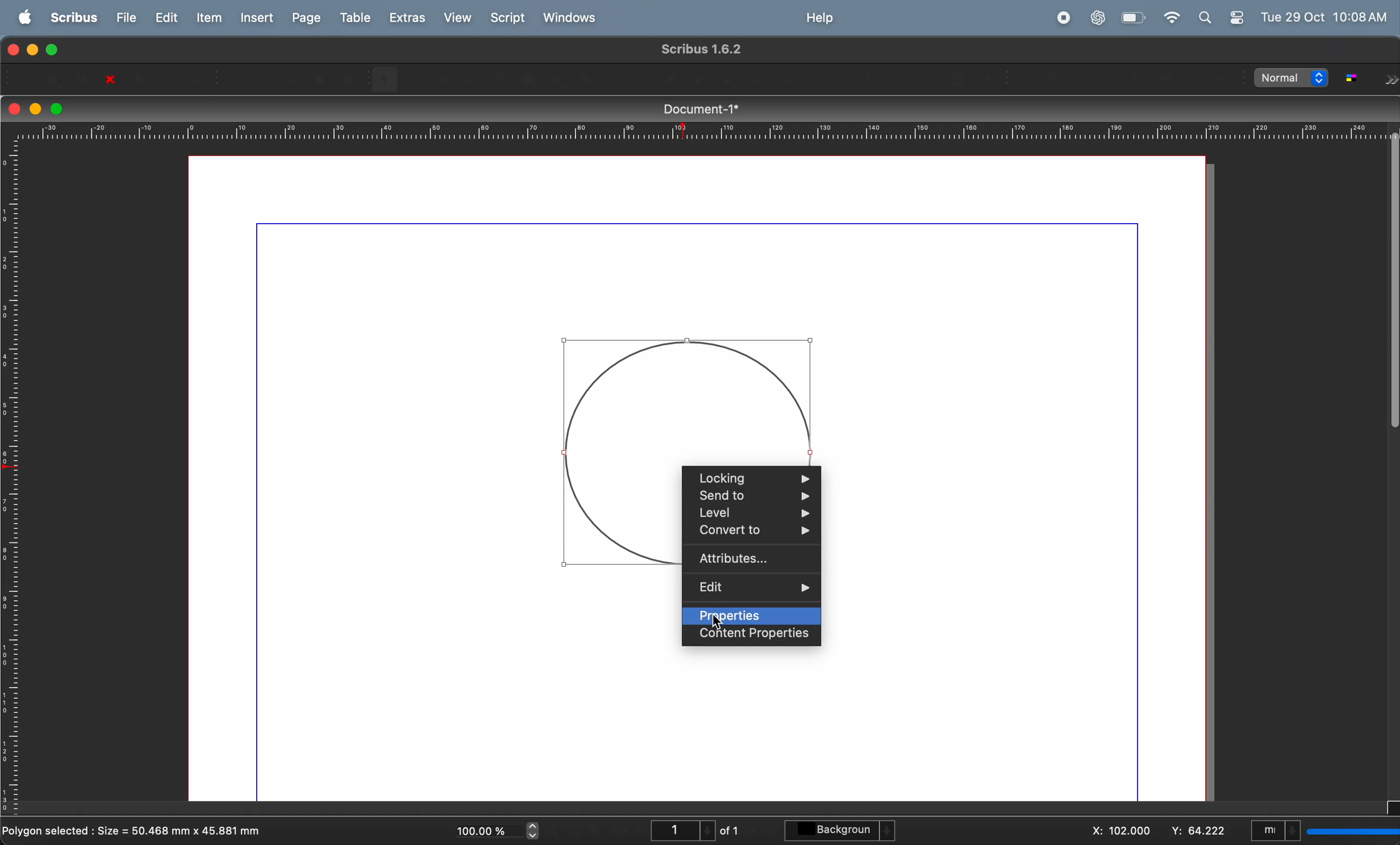  What do you see at coordinates (1119, 829) in the screenshot?
I see `x co ordinate` at bounding box center [1119, 829].